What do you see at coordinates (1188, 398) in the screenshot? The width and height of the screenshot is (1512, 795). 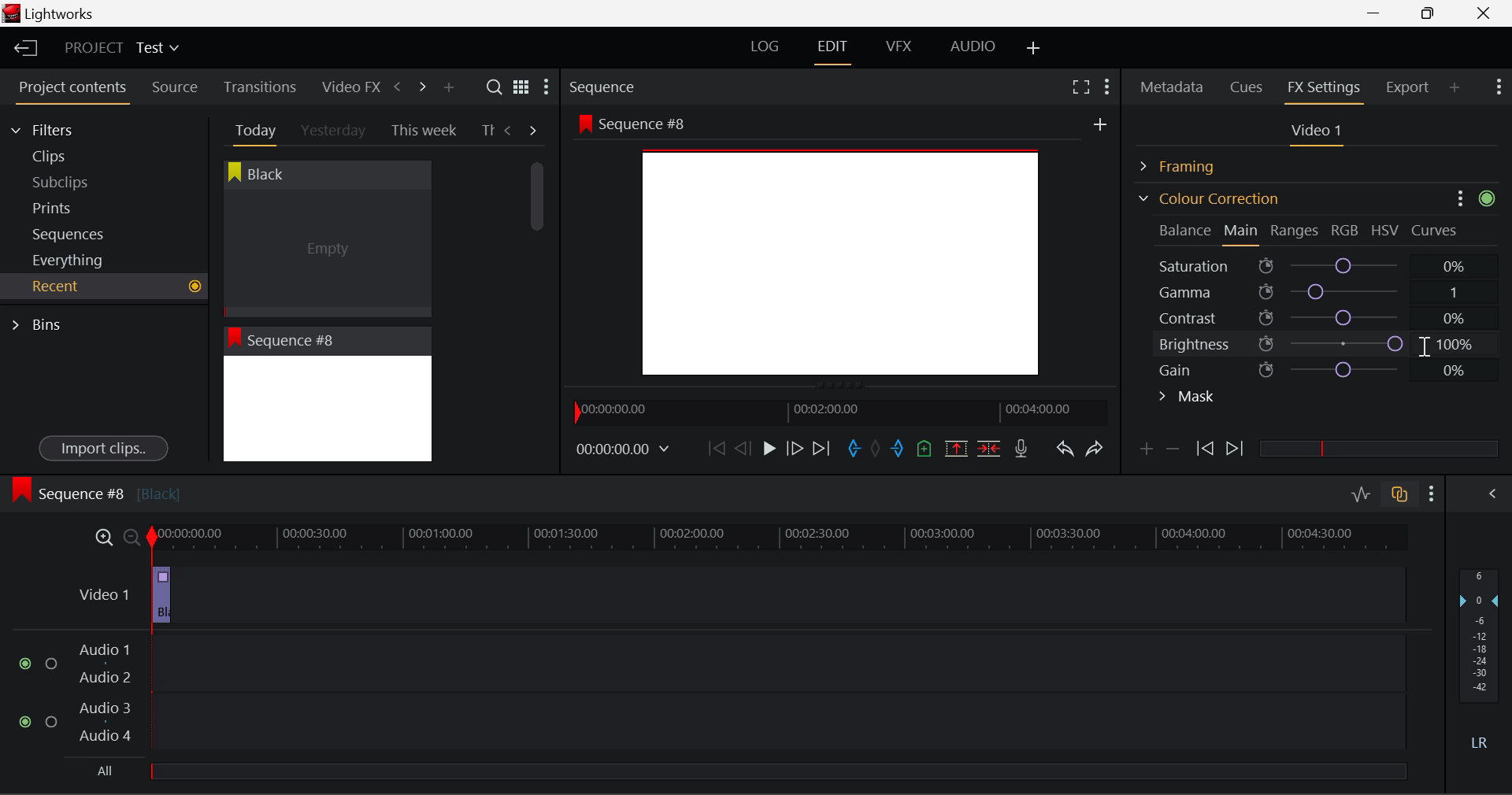 I see `Mask` at bounding box center [1188, 398].